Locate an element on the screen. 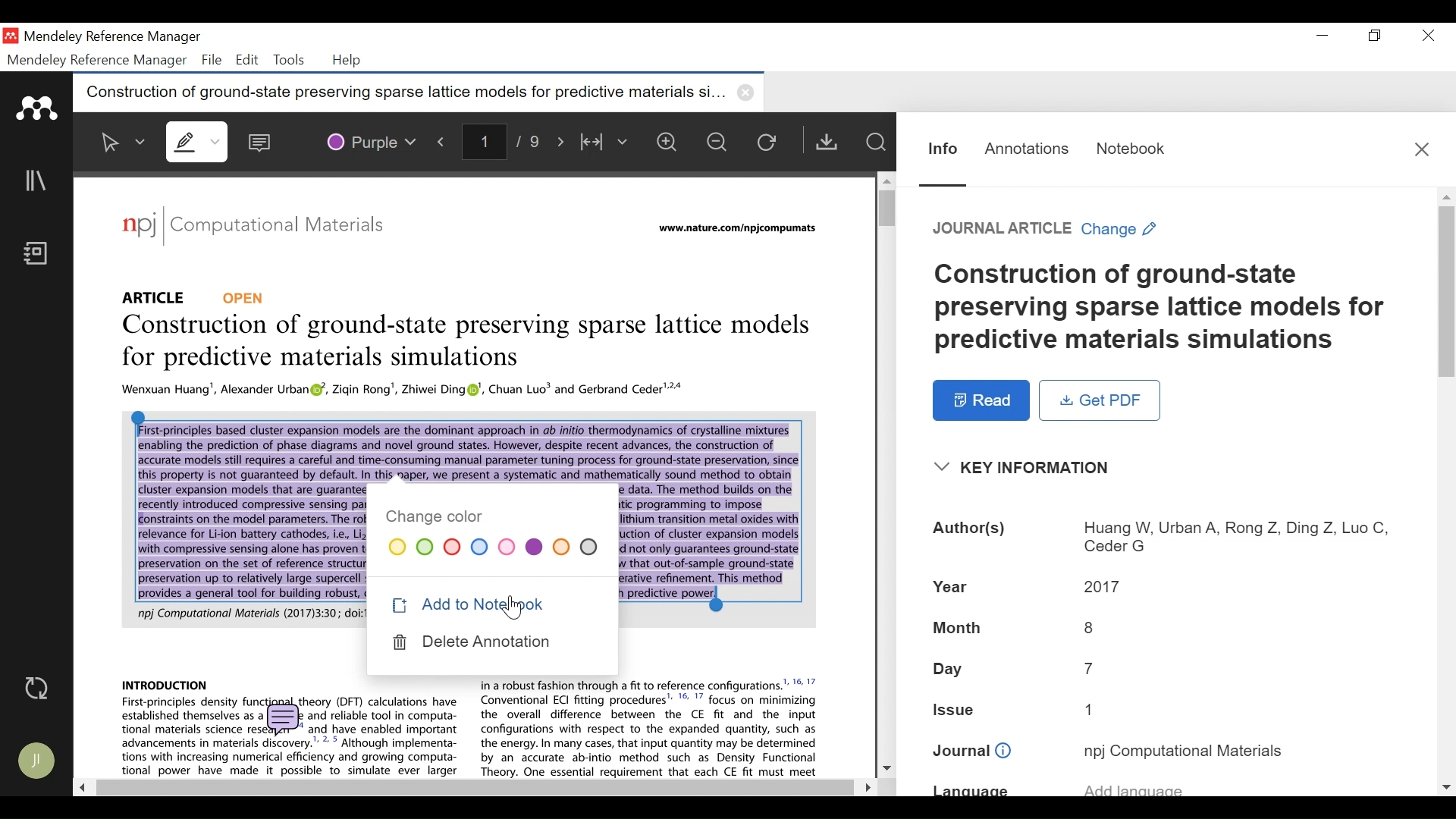  Fit to Width is located at coordinates (607, 140).